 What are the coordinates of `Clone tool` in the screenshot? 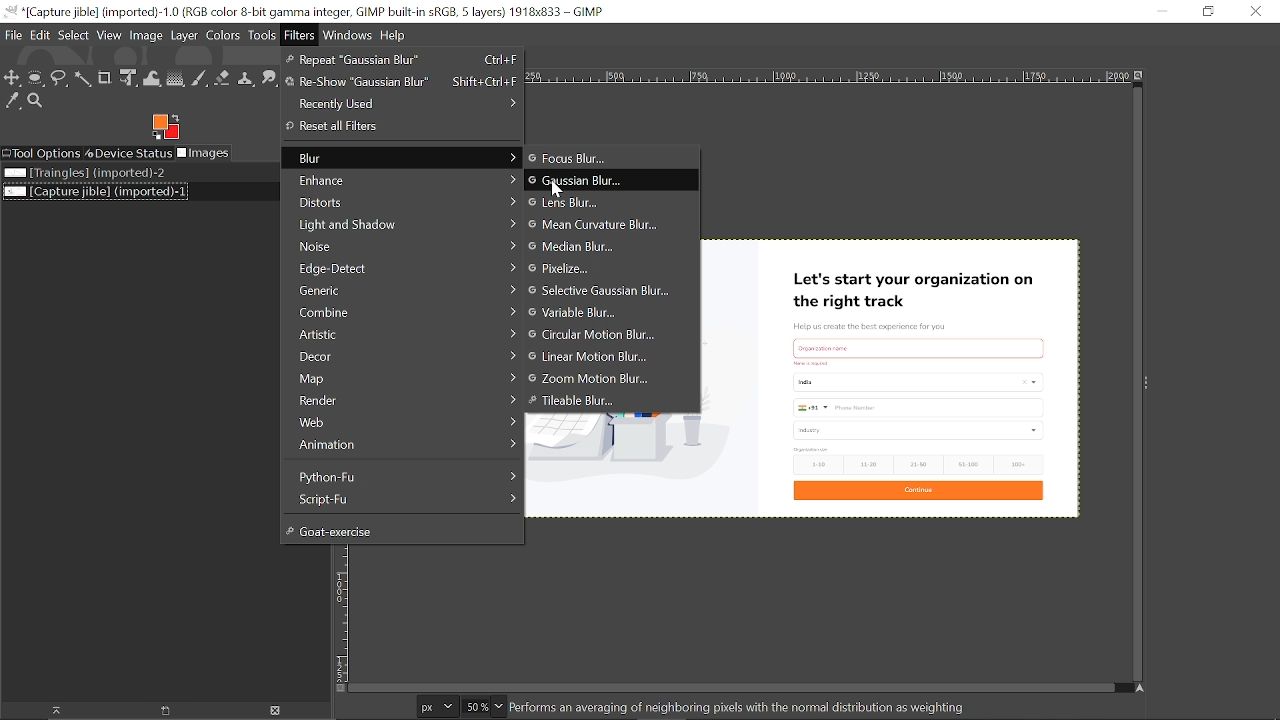 It's located at (247, 77).